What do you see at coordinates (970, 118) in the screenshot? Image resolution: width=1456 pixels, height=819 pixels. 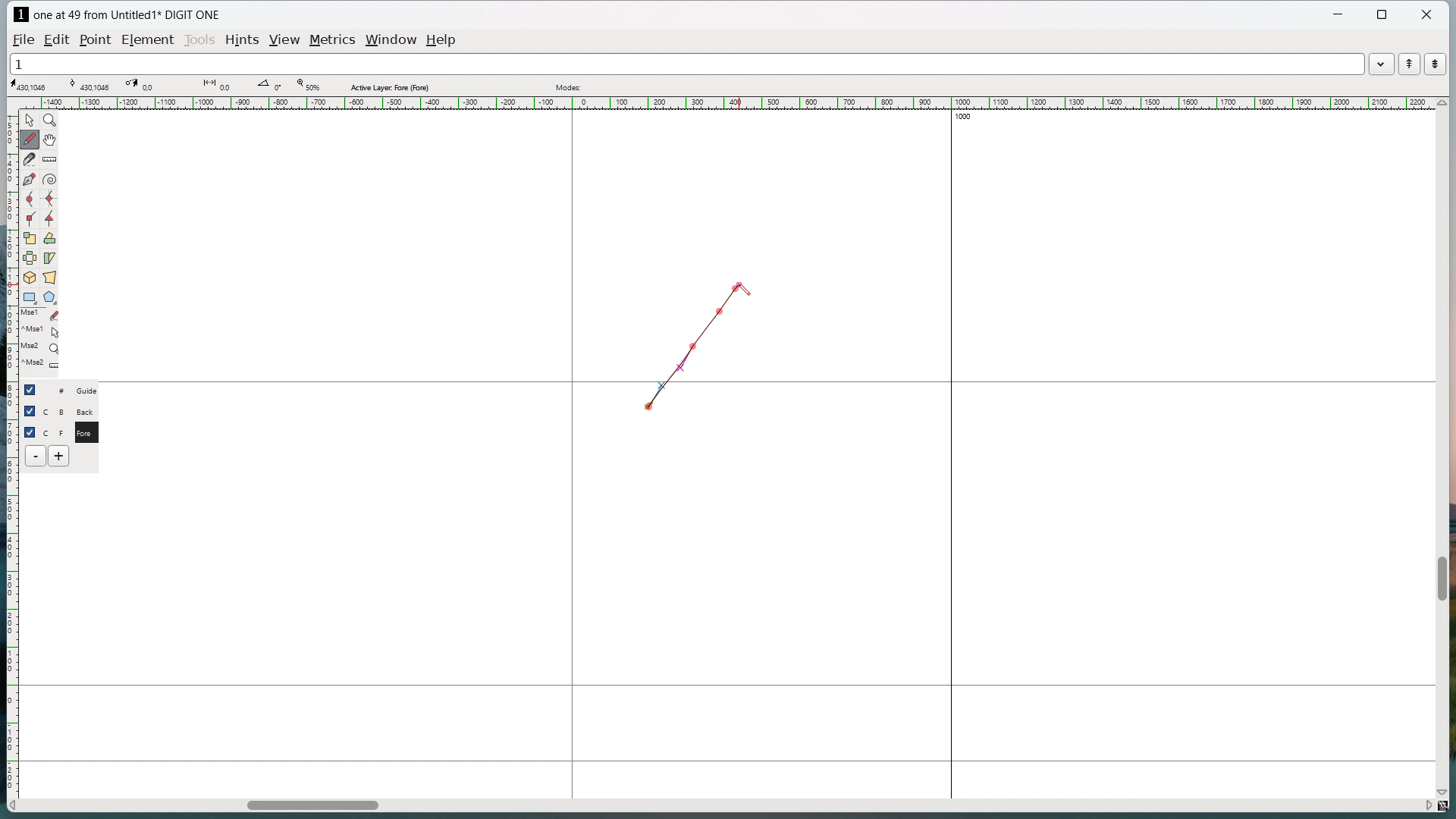 I see `1000` at bounding box center [970, 118].